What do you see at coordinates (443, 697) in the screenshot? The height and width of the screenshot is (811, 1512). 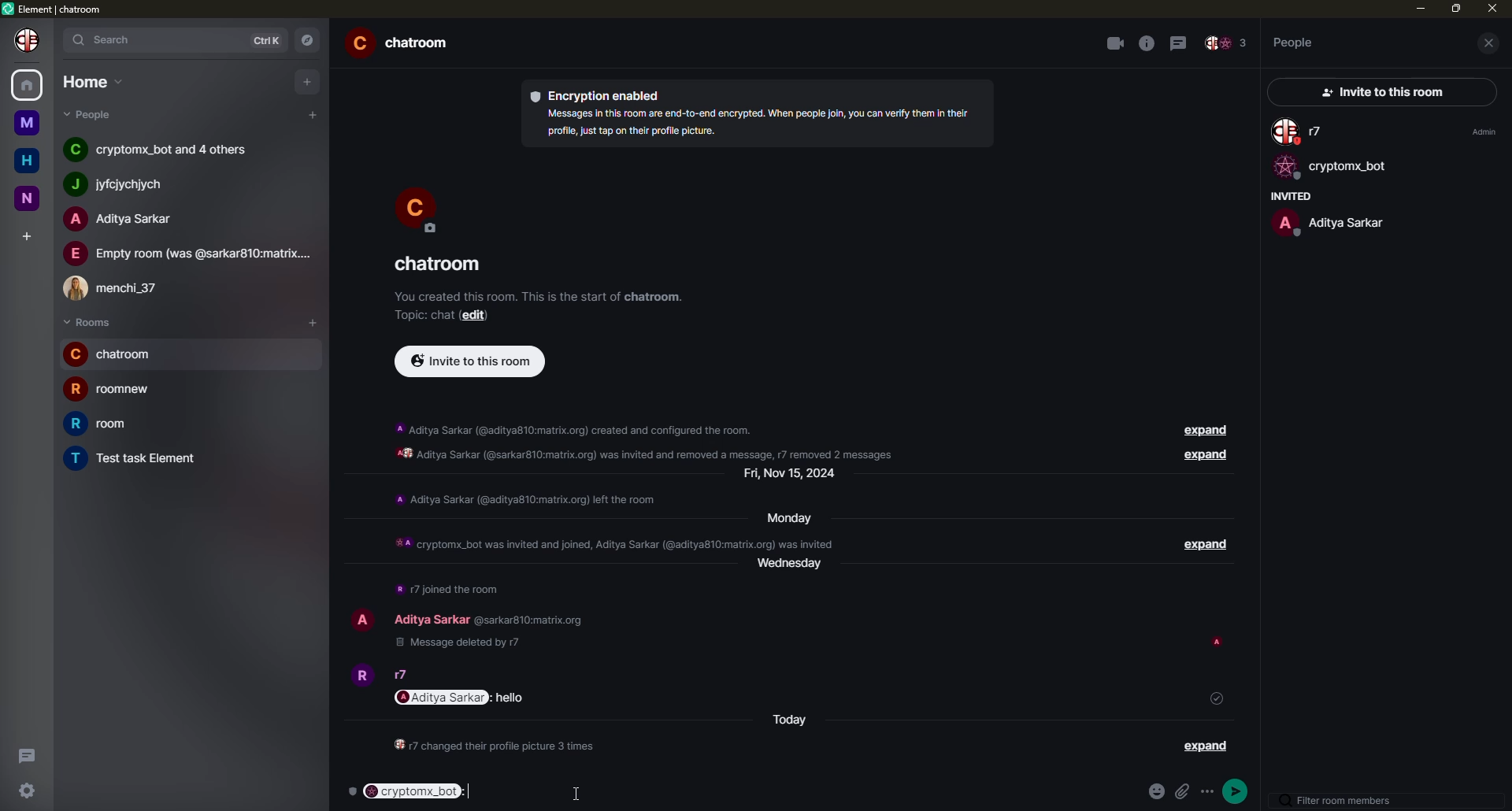 I see `mention` at bounding box center [443, 697].